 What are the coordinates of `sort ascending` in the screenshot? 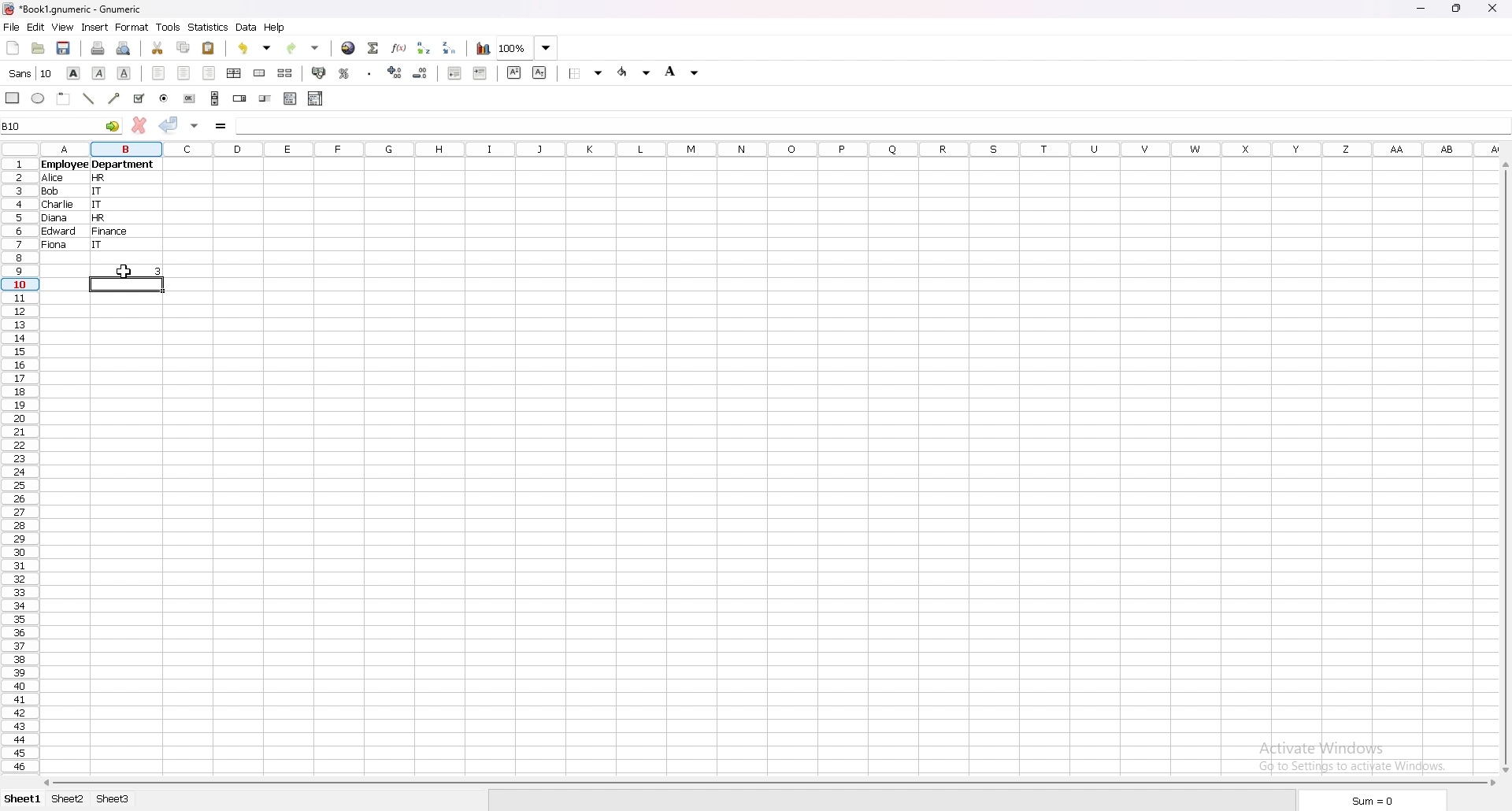 It's located at (424, 48).